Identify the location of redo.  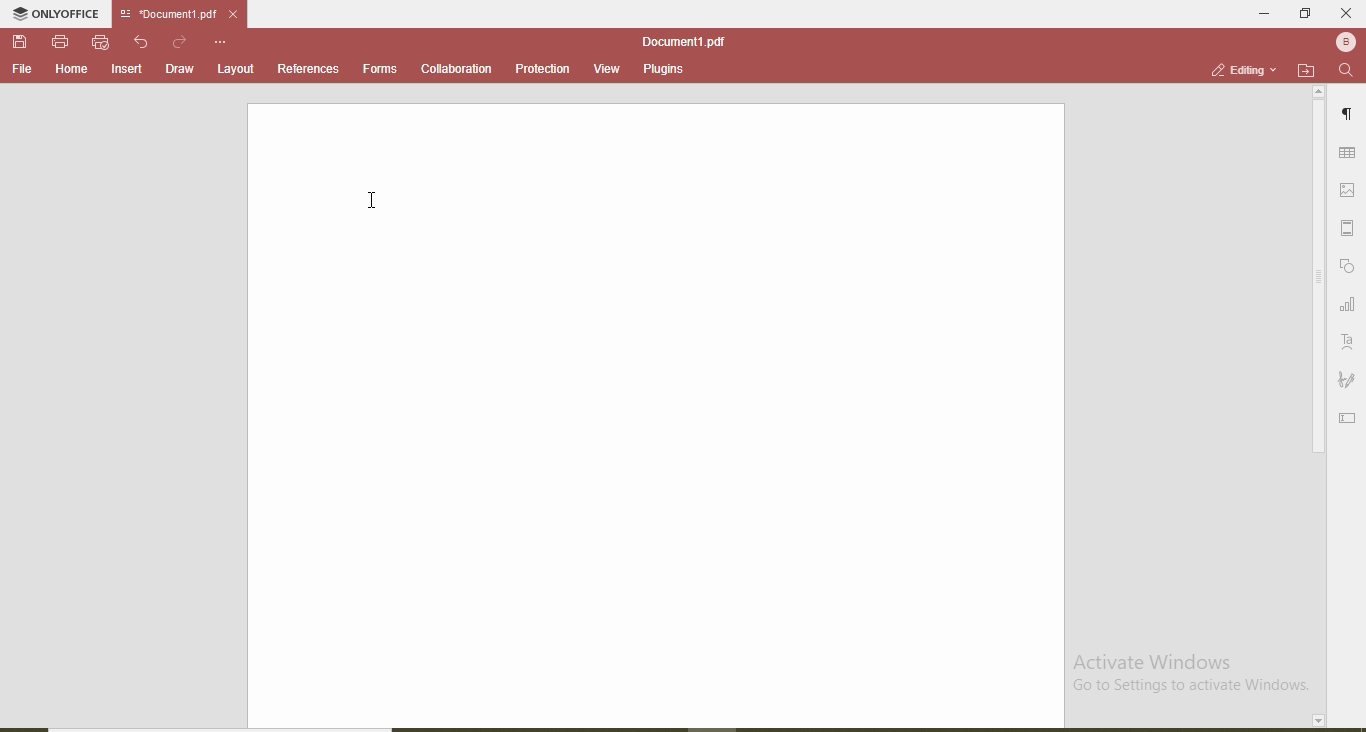
(181, 41).